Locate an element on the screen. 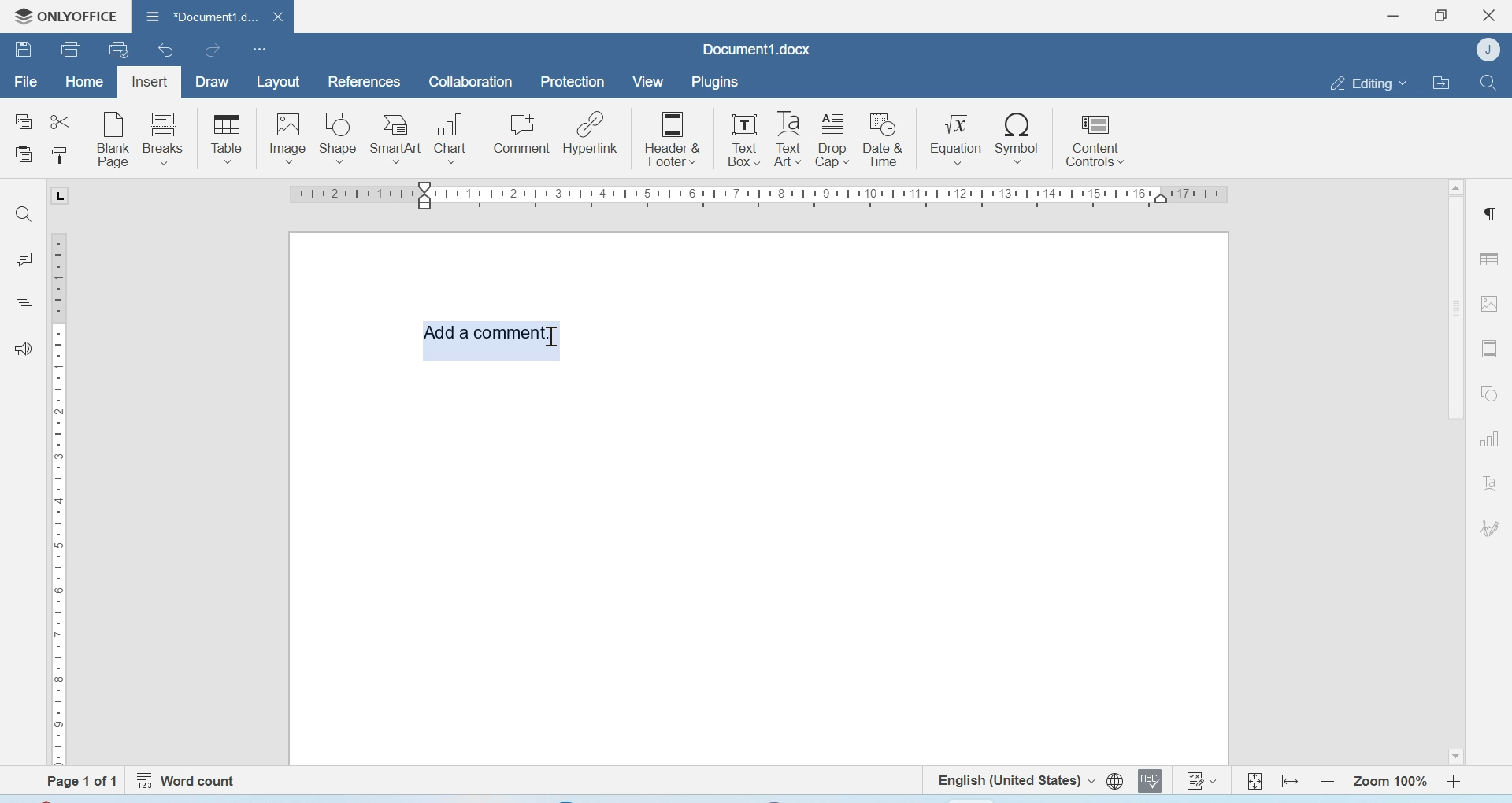  Equation is located at coordinates (956, 137).